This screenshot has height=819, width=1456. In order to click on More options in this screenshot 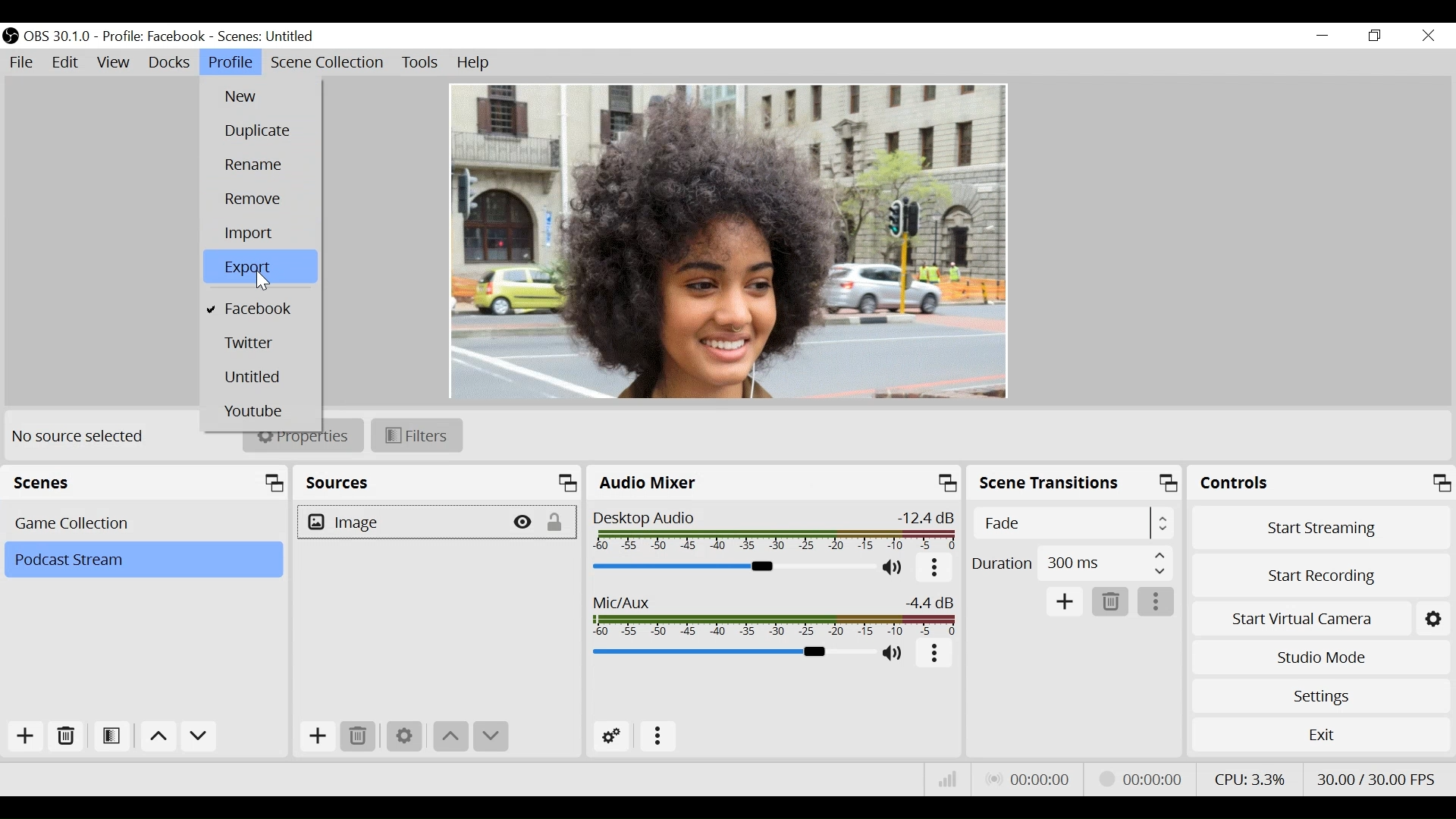, I will do `click(1156, 601)`.